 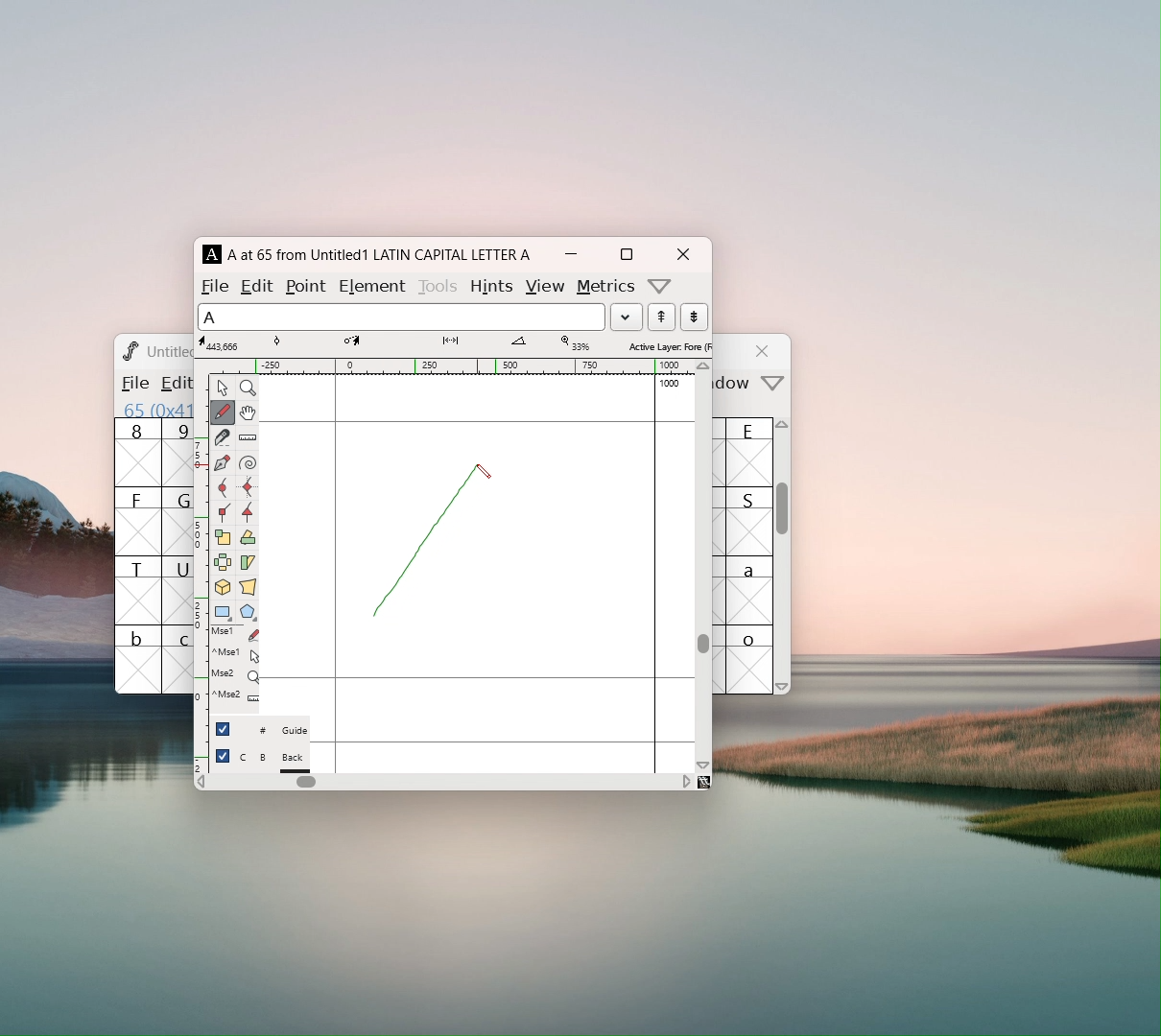 What do you see at coordinates (273, 731) in the screenshot?
I see `# Guide` at bounding box center [273, 731].